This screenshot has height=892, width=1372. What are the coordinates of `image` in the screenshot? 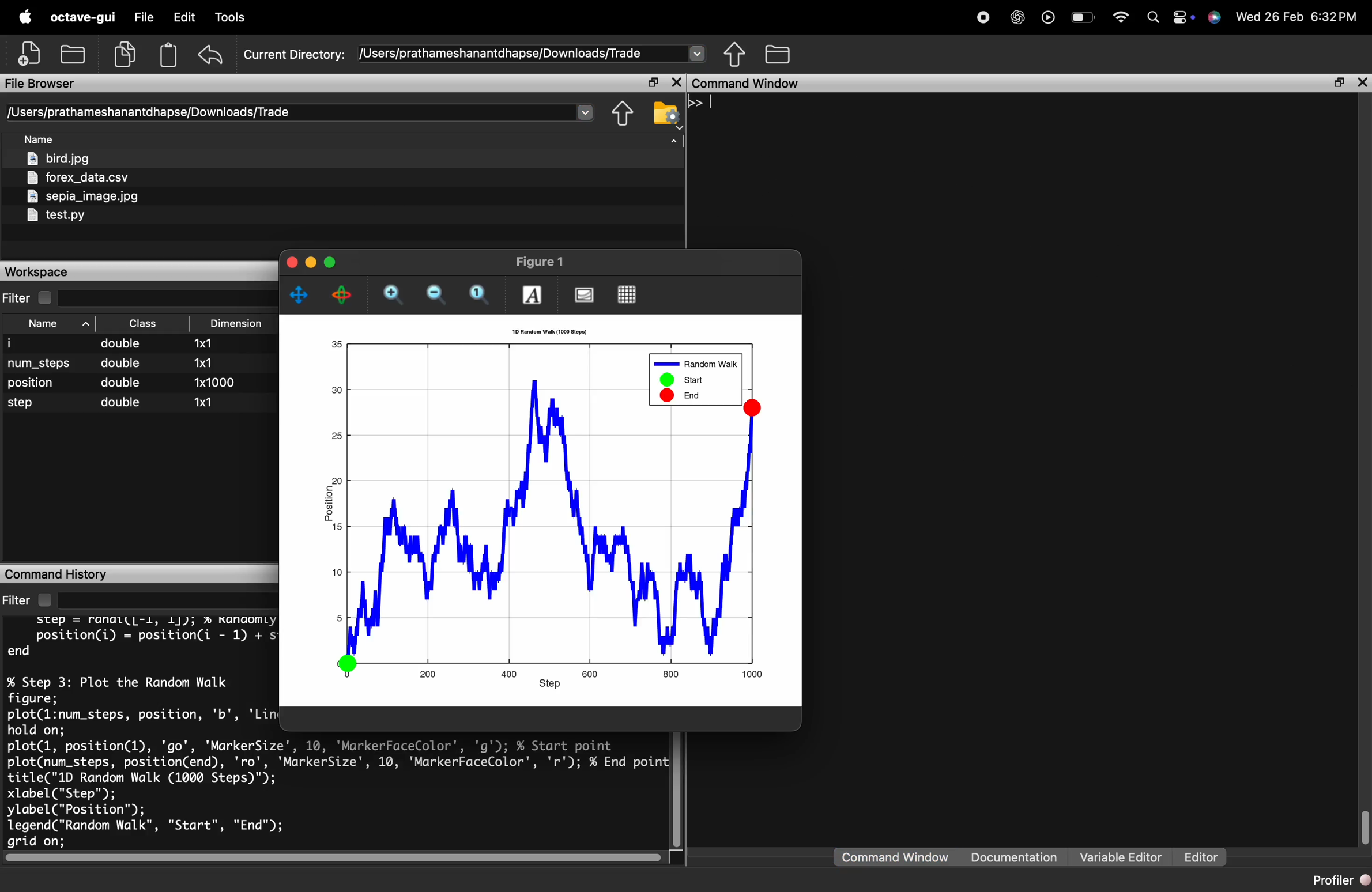 It's located at (584, 296).